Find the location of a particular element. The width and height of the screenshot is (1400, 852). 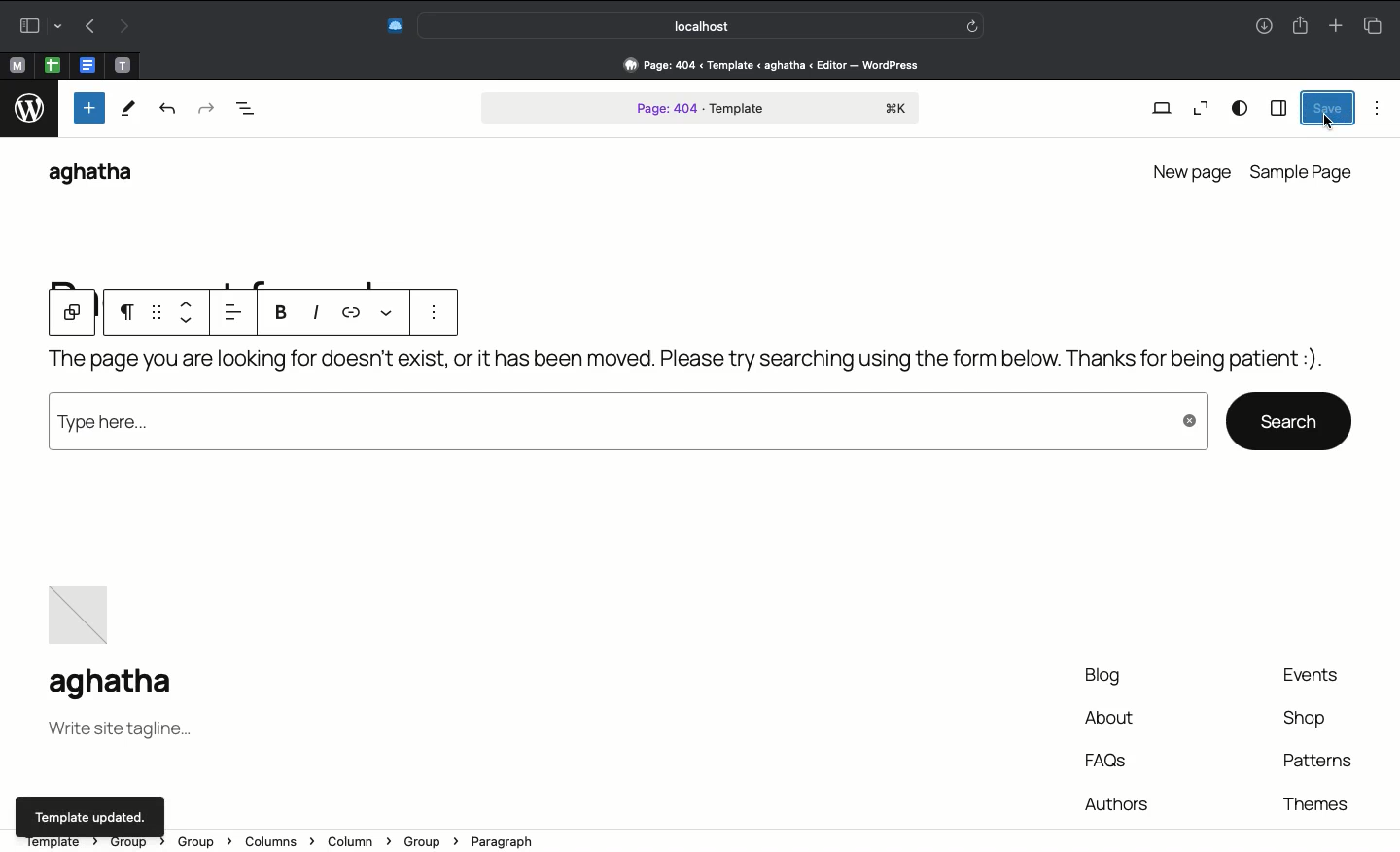

WordPress name is located at coordinates (100, 175).